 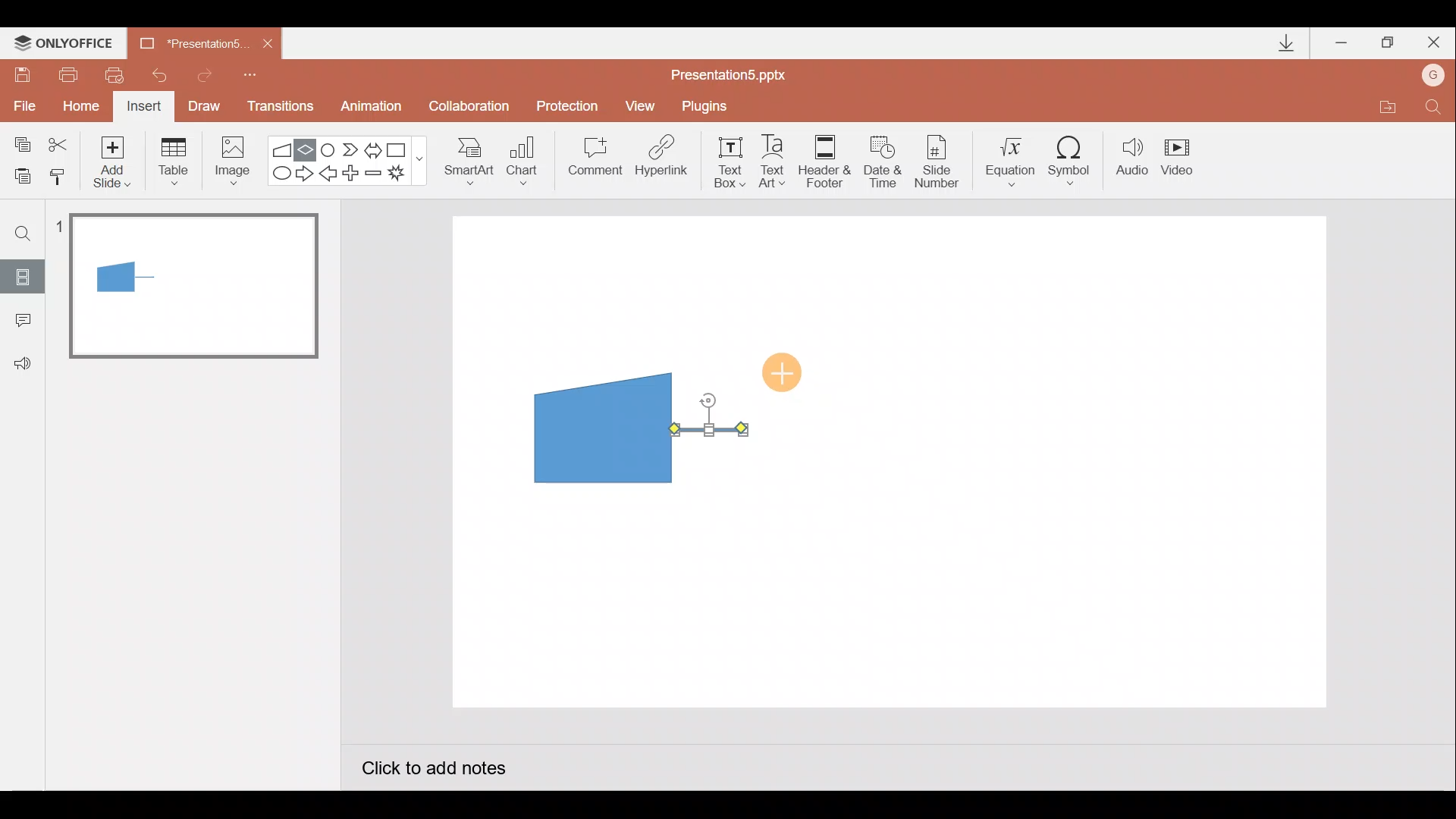 I want to click on Insert, so click(x=142, y=108).